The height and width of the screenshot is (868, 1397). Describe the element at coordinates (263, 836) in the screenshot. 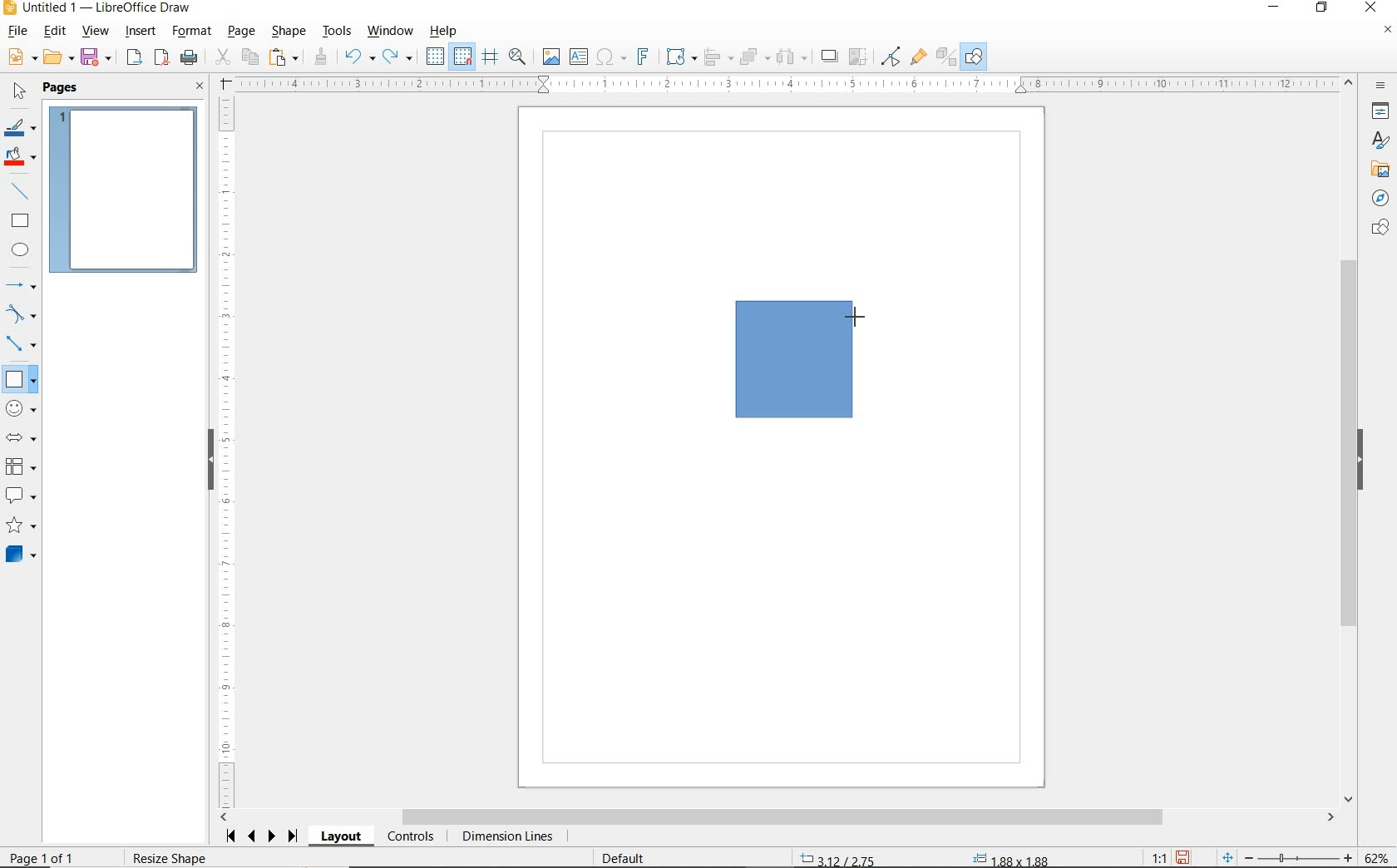

I see `SCROLL NEXT` at that location.